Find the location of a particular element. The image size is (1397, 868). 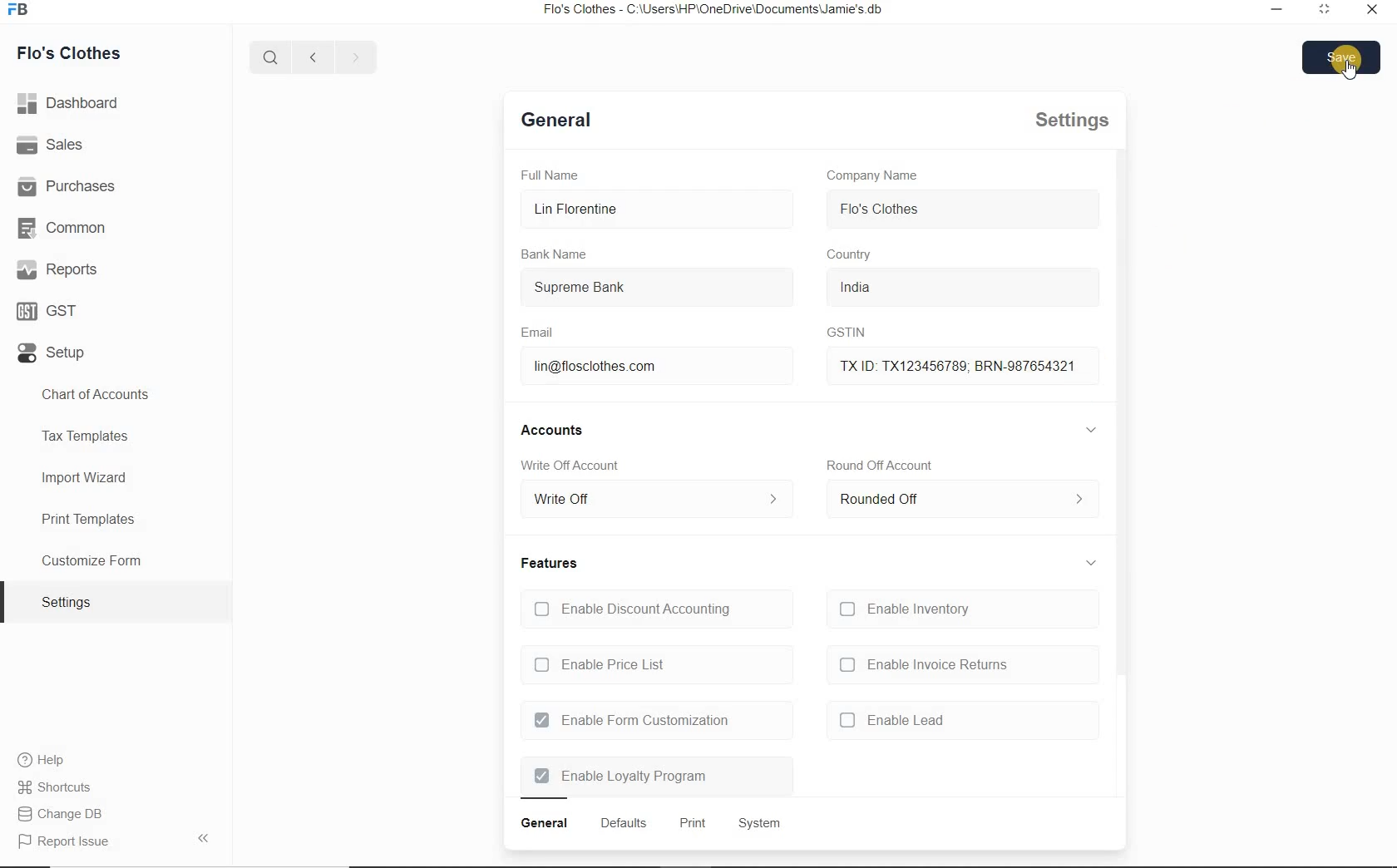

Write Off account is located at coordinates (575, 467).